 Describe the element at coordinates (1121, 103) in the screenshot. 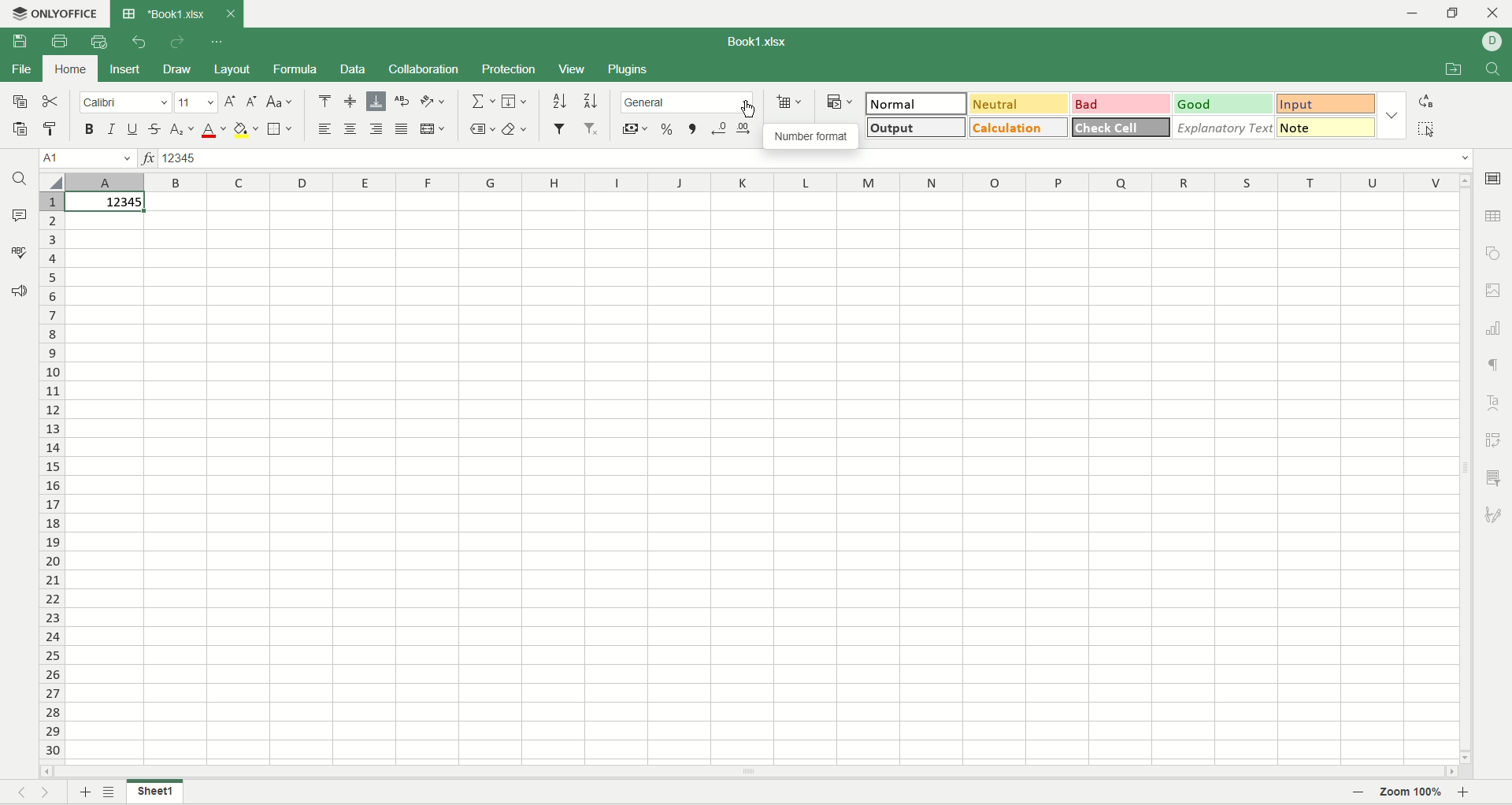

I see `bad` at that location.